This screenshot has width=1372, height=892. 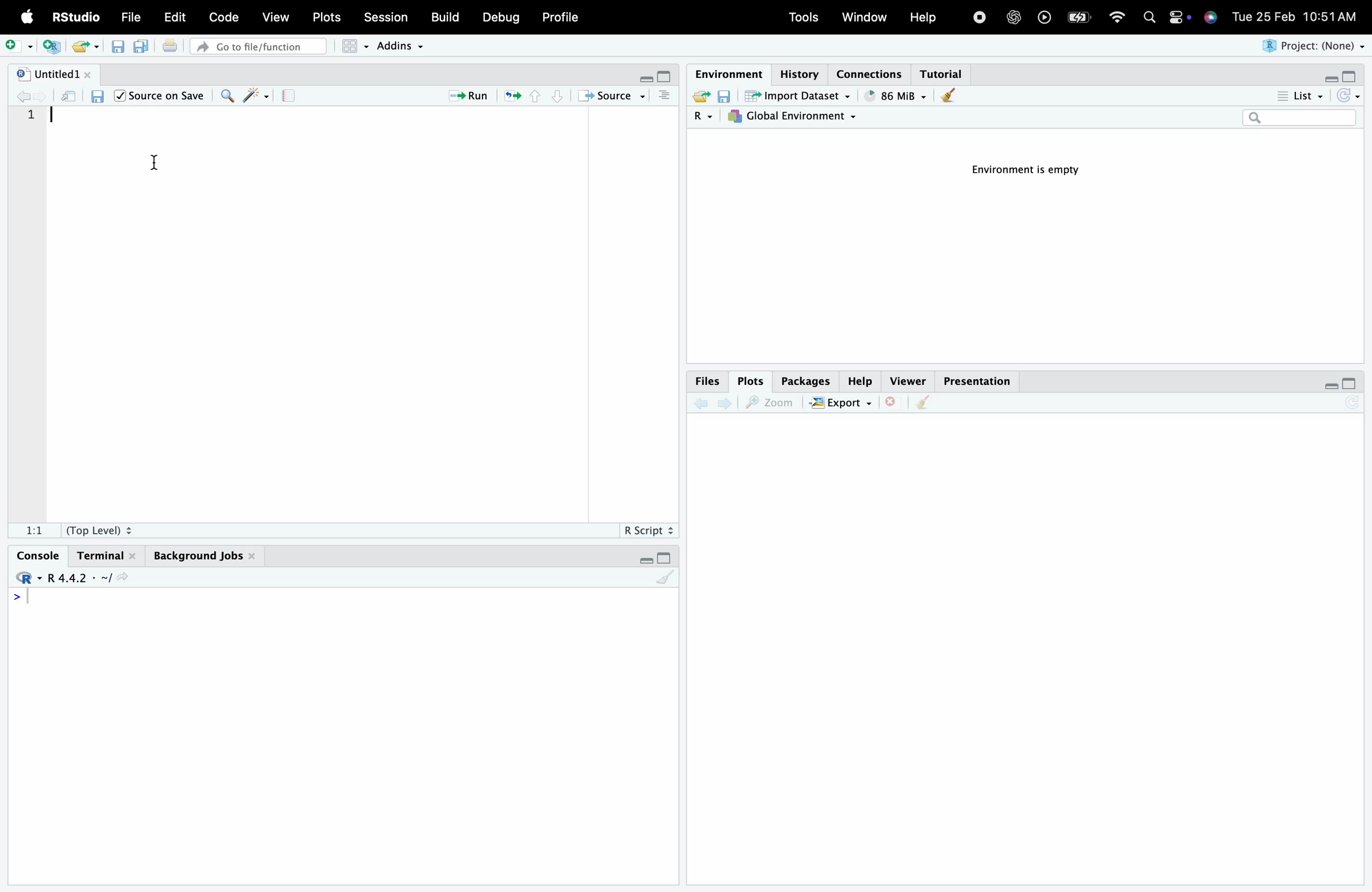 I want to click on RStudio, so click(x=74, y=16).